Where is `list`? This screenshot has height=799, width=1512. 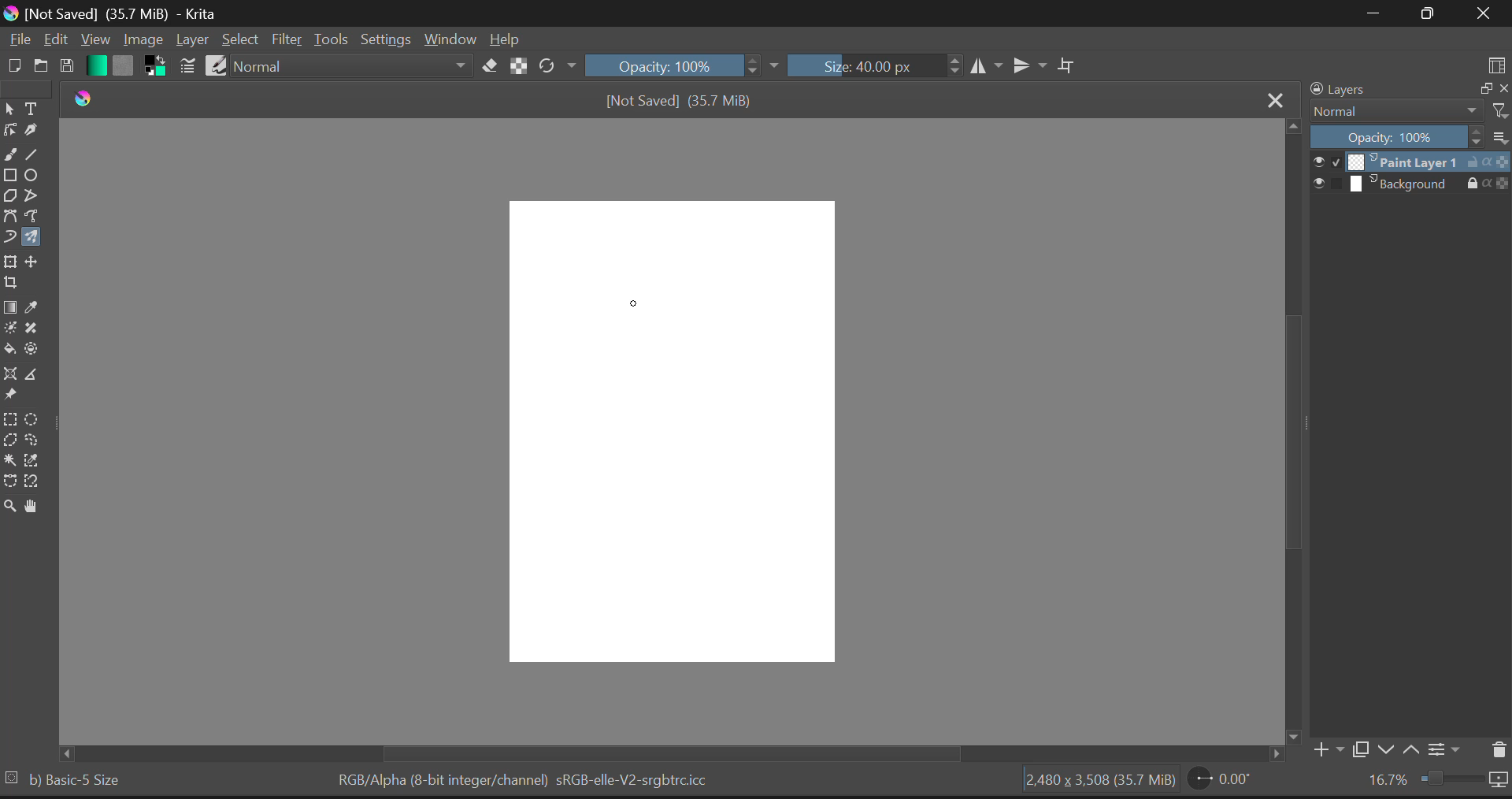 list is located at coordinates (1499, 137).